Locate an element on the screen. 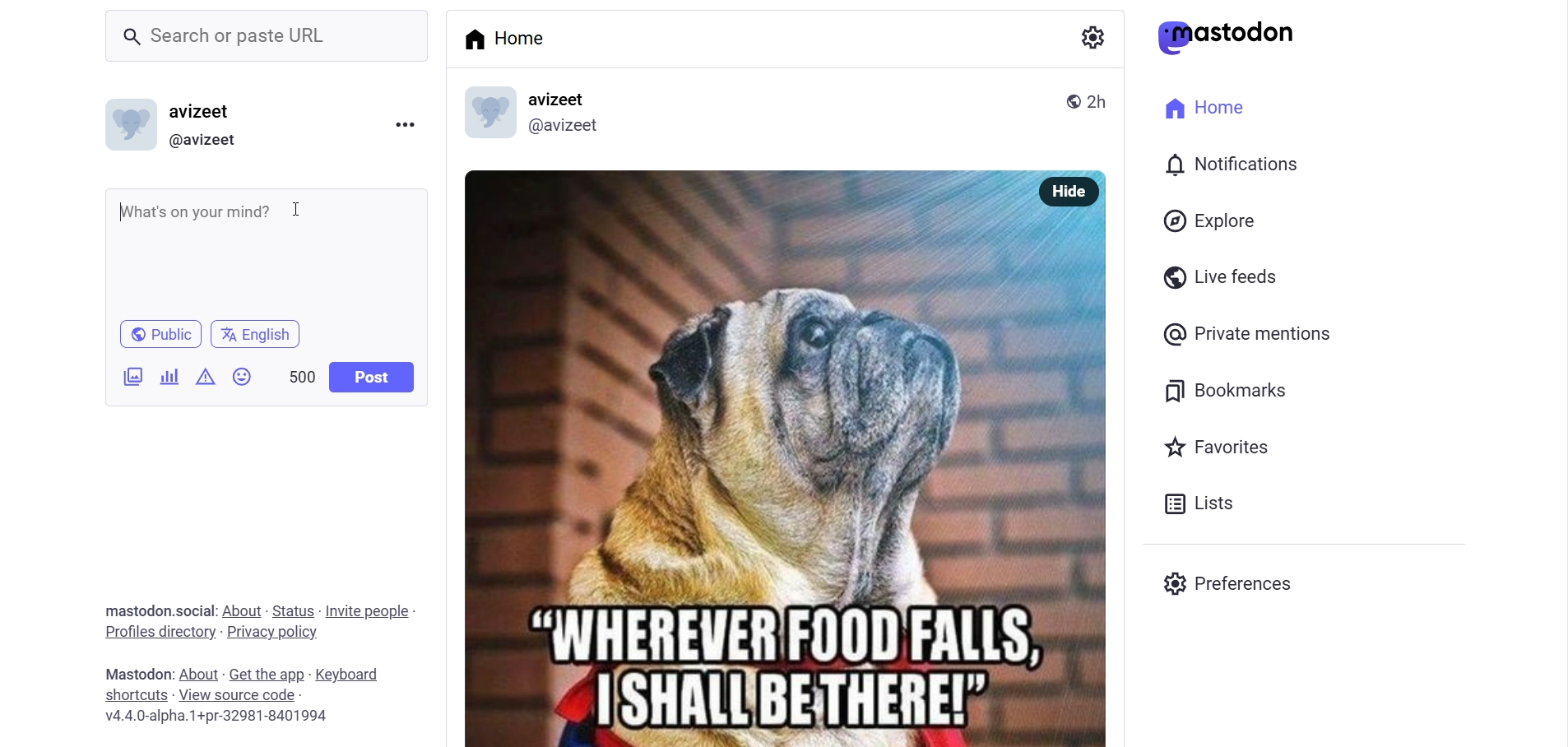  avizeet is located at coordinates (206, 113).